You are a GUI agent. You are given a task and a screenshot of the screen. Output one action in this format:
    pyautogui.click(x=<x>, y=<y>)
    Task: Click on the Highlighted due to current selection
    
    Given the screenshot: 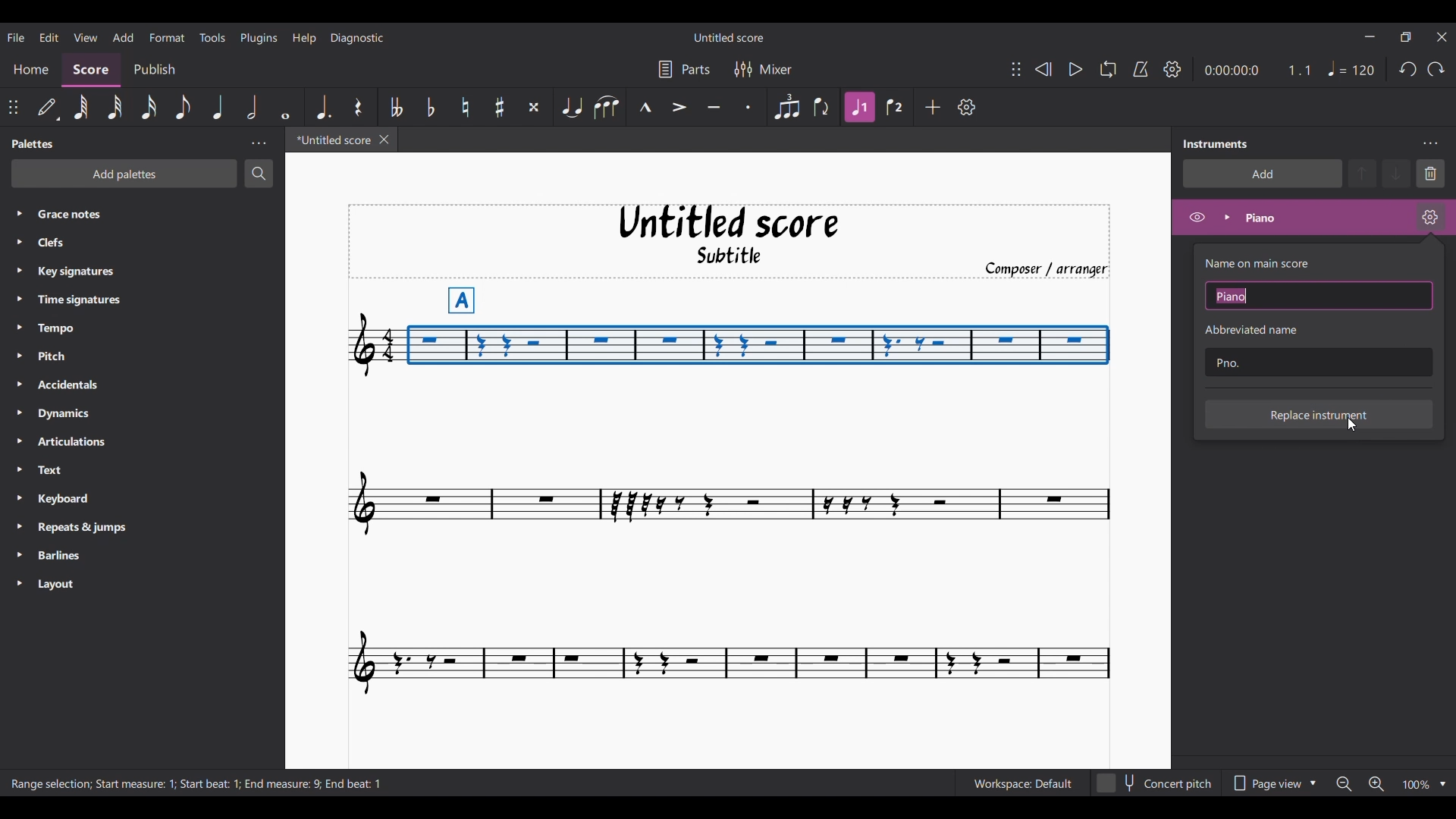 What is the action you would take?
    pyautogui.click(x=860, y=107)
    